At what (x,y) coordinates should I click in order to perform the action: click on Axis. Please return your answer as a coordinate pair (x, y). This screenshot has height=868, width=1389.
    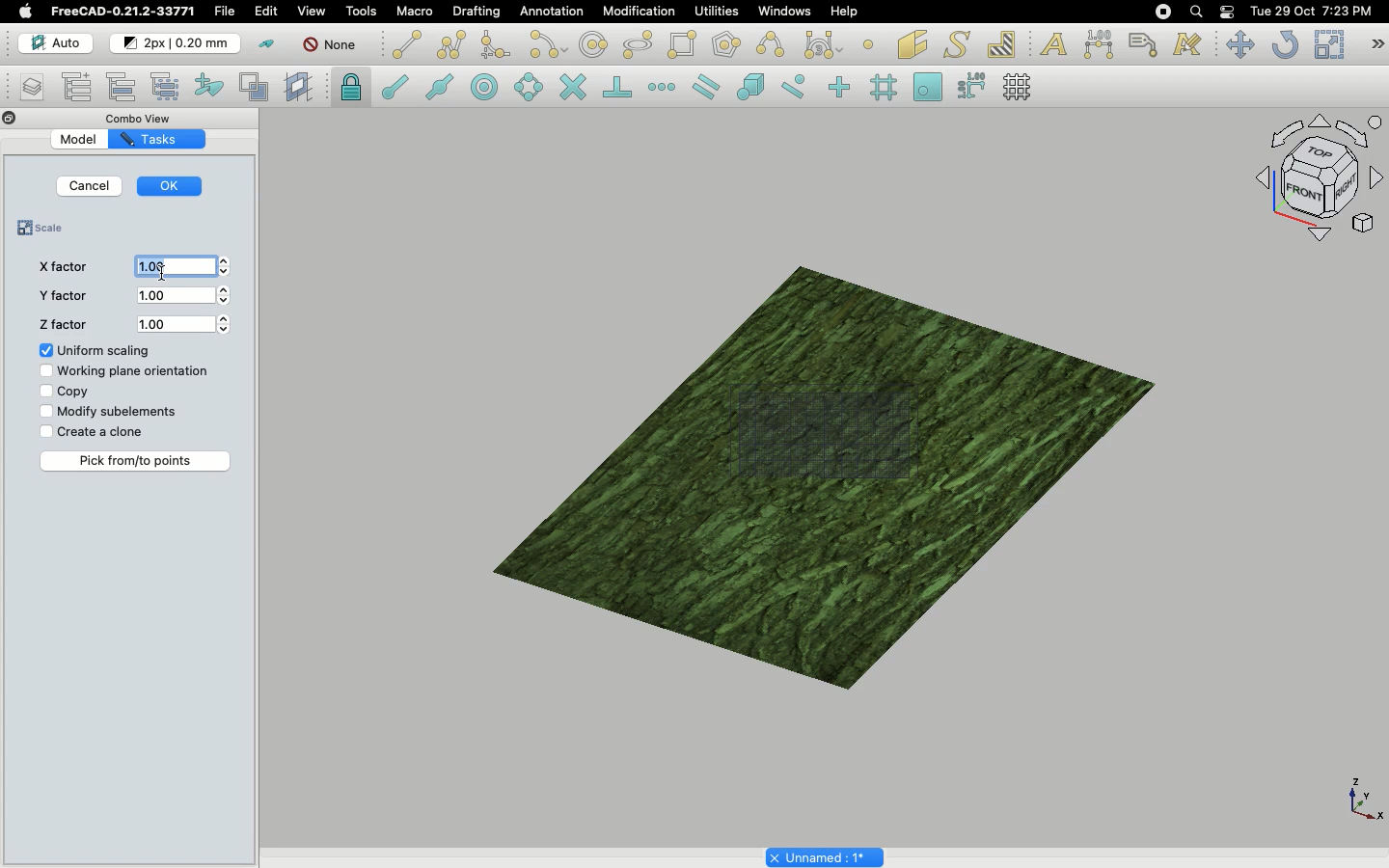
    Looking at the image, I should click on (1362, 799).